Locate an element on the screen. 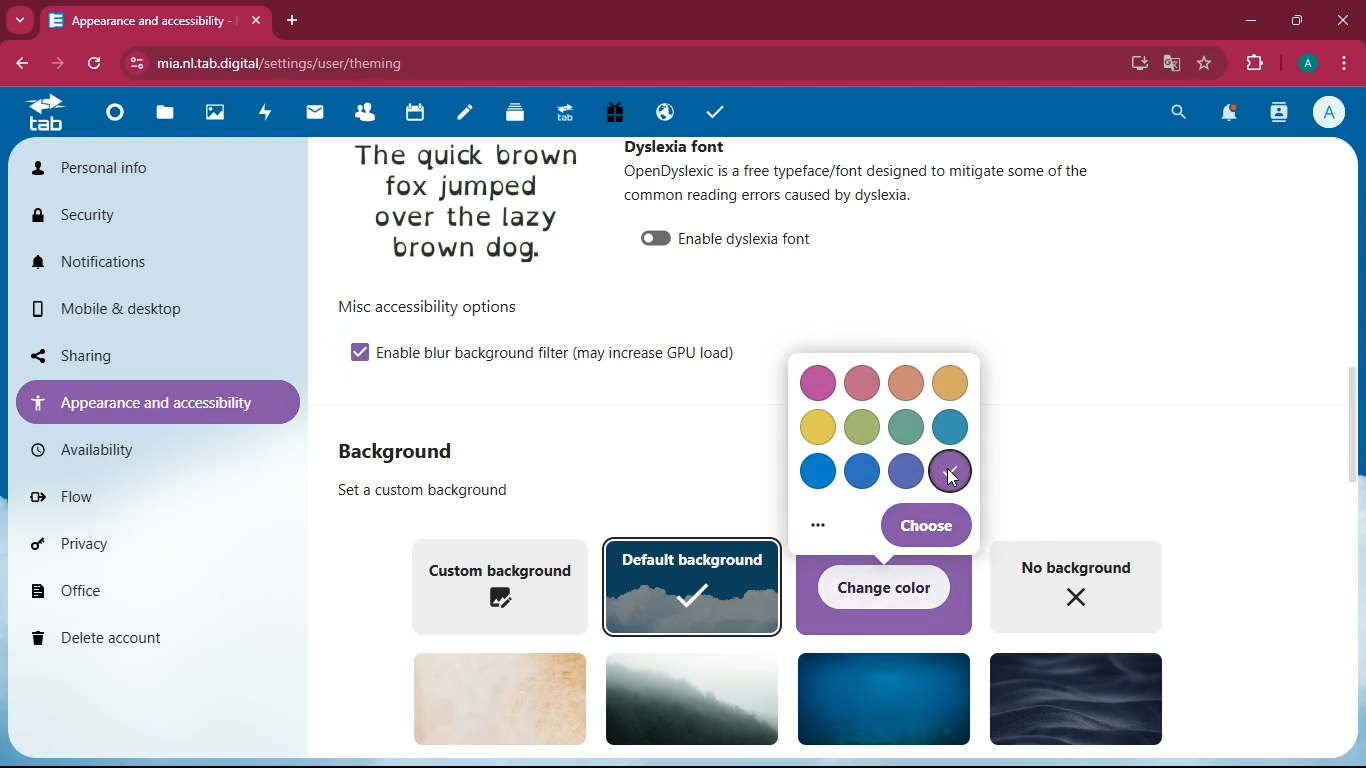 The image size is (1366, 768). mail is located at coordinates (310, 113).